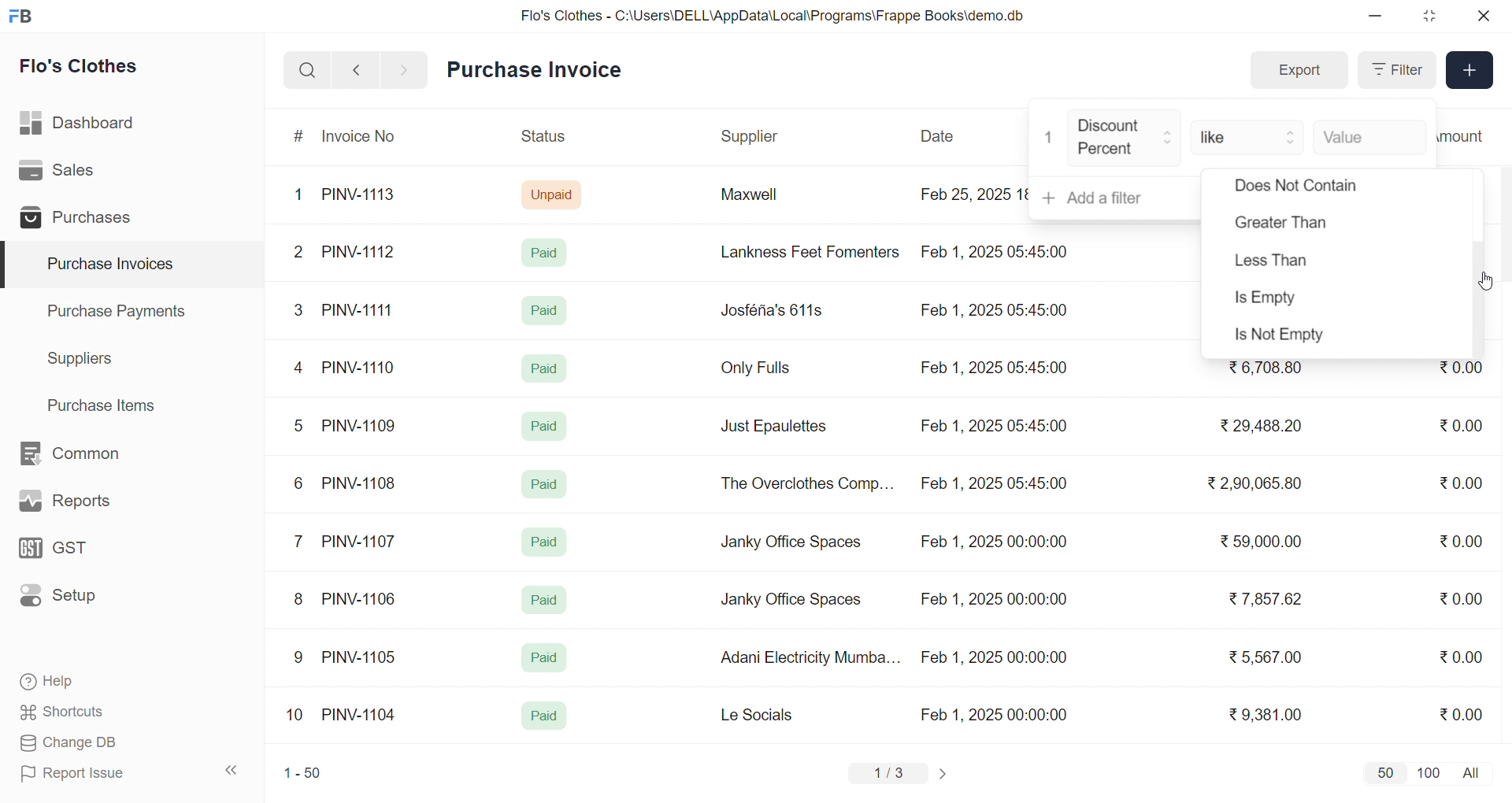 The height and width of the screenshot is (803, 1512). What do you see at coordinates (83, 505) in the screenshot?
I see `Reports` at bounding box center [83, 505].